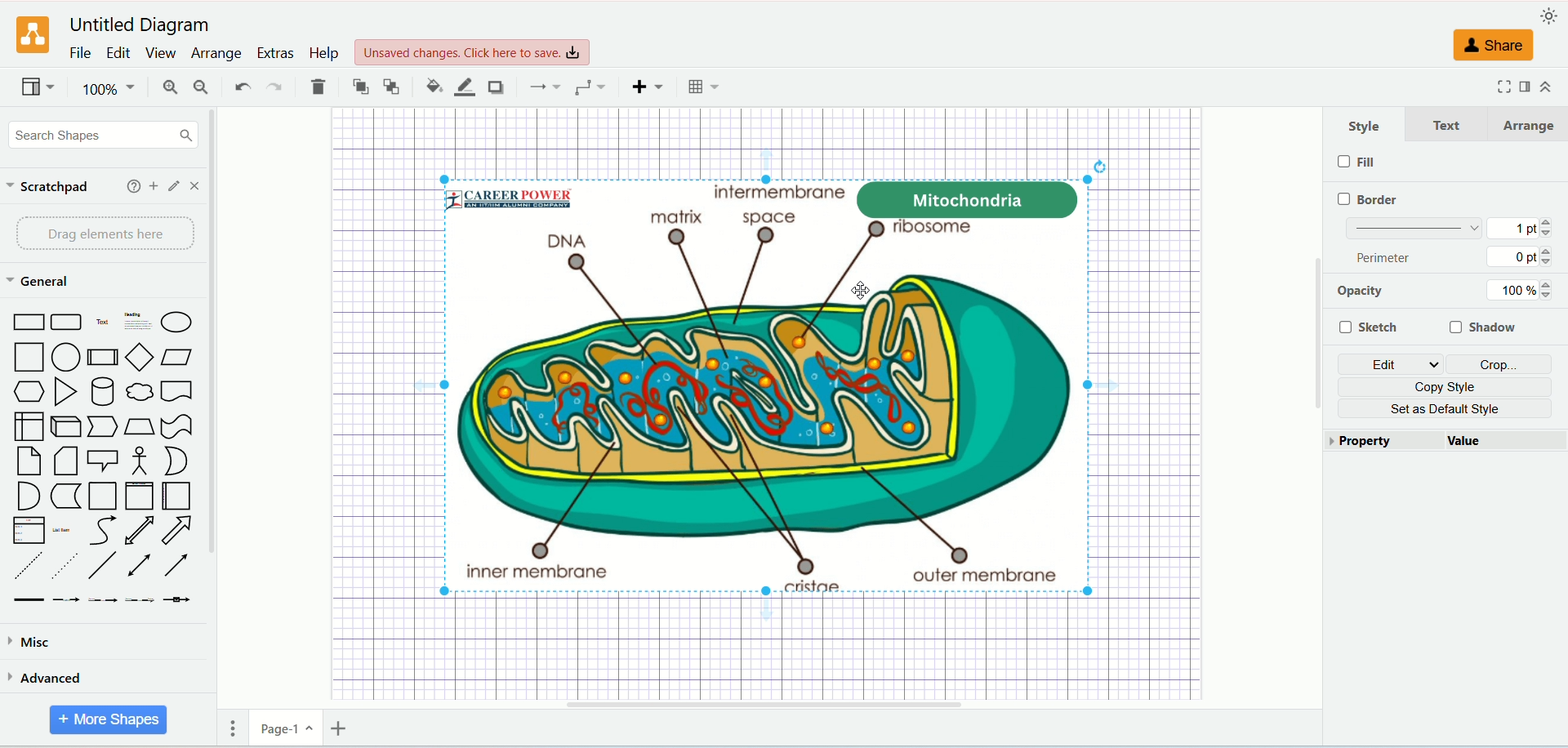 Image resolution: width=1568 pixels, height=748 pixels. I want to click on 100%, so click(1520, 292).